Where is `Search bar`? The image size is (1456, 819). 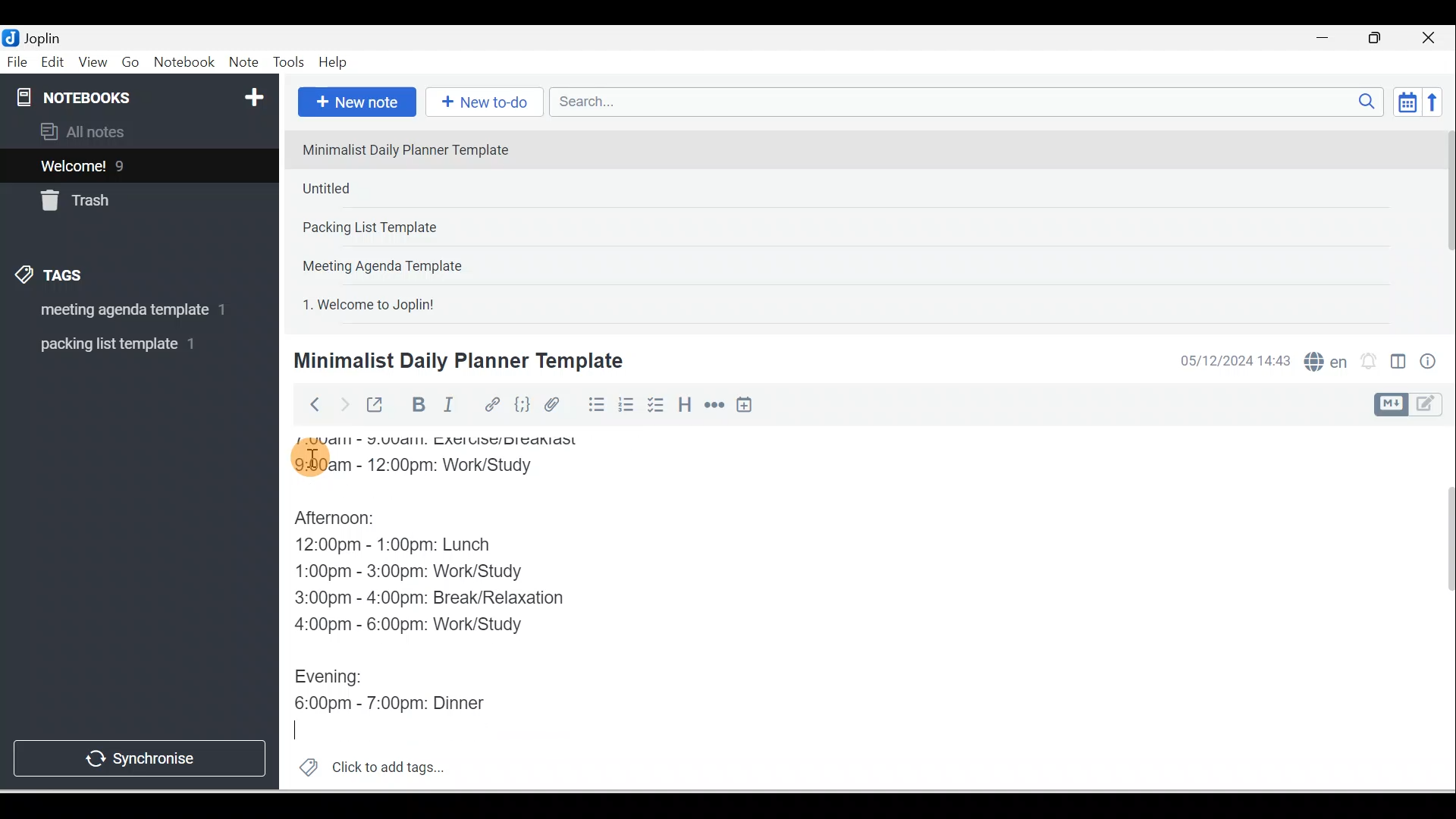 Search bar is located at coordinates (971, 102).